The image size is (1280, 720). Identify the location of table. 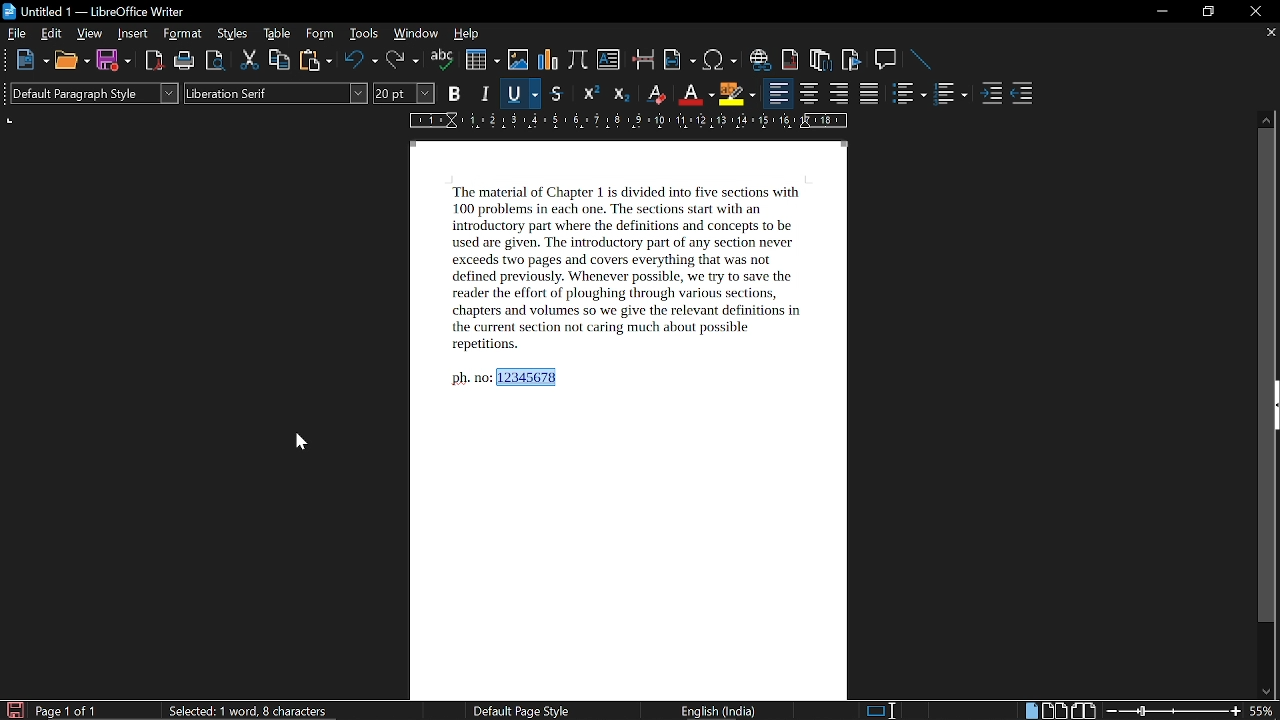
(278, 35).